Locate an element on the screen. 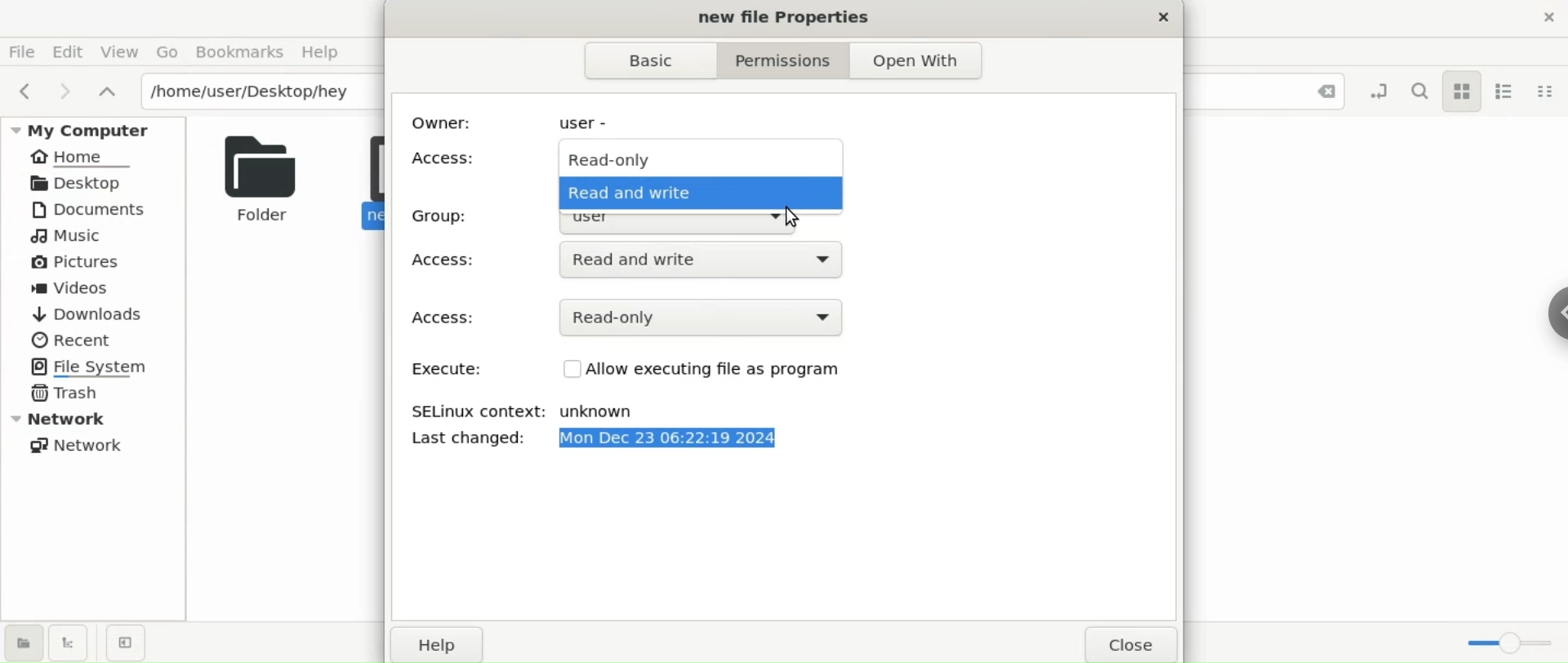  lis view is located at coordinates (1509, 89).